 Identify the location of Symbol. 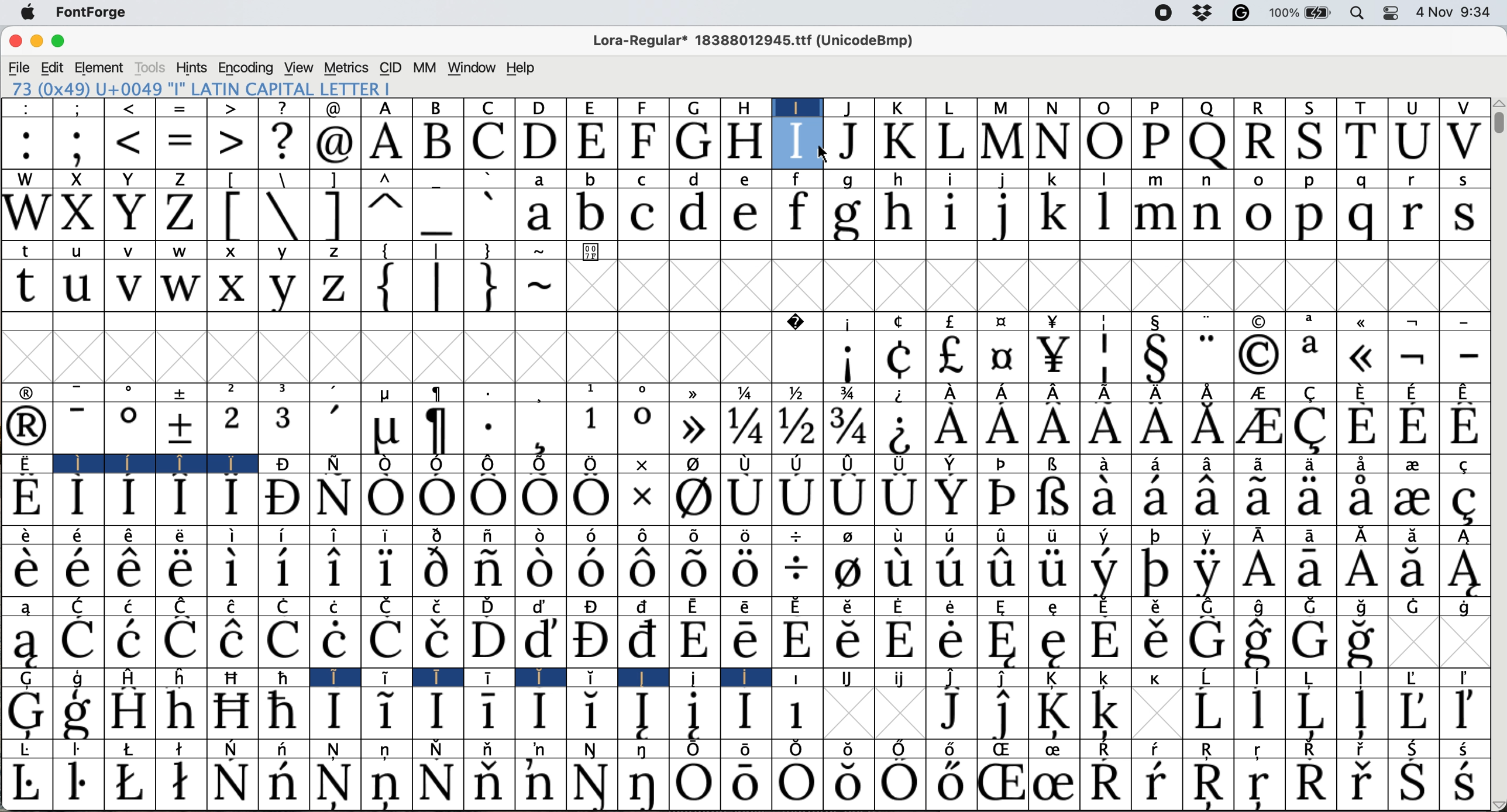
(901, 748).